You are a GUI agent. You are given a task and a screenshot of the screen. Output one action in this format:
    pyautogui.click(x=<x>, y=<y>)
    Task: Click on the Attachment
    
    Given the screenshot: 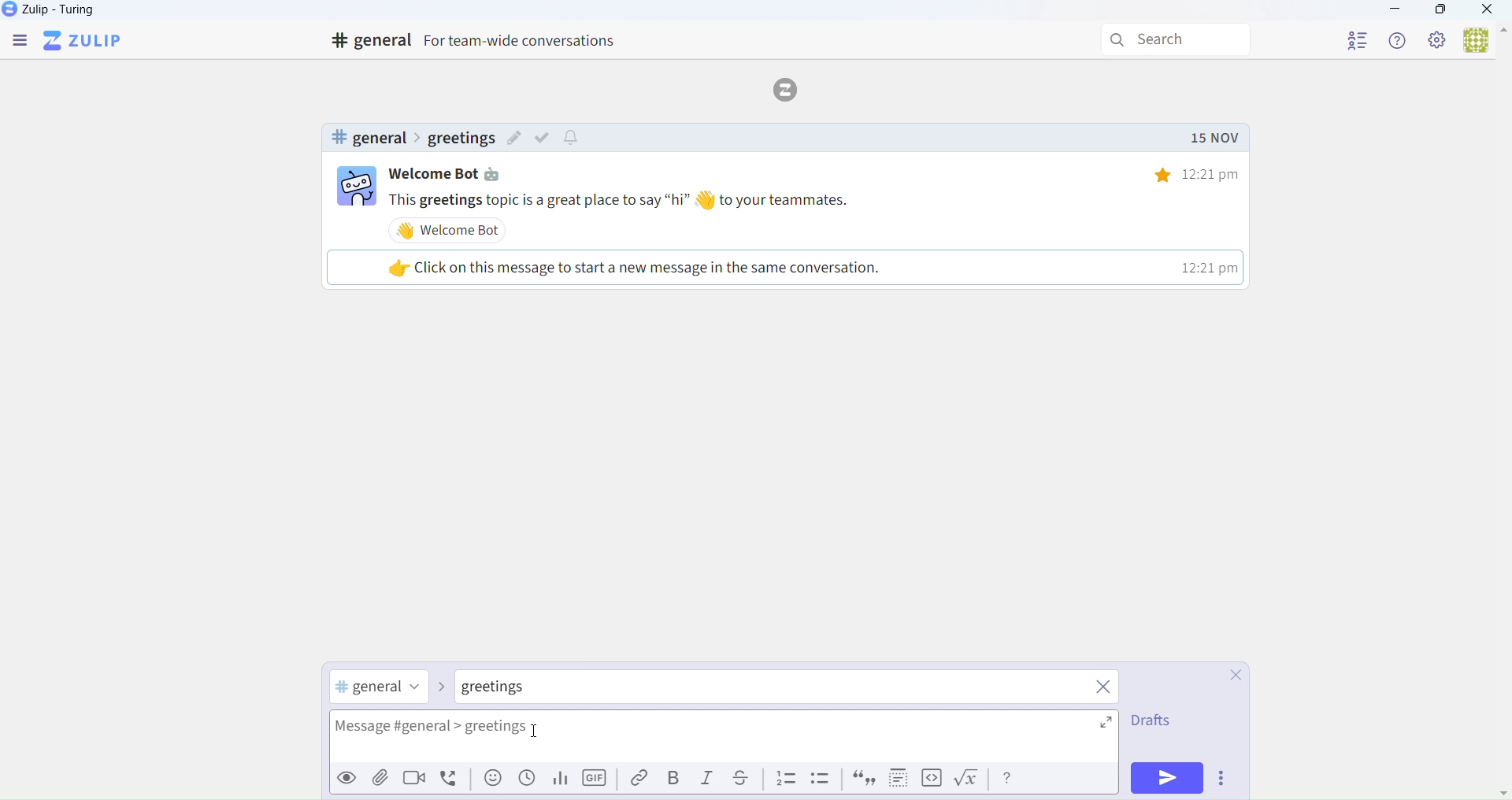 What is the action you would take?
    pyautogui.click(x=381, y=780)
    